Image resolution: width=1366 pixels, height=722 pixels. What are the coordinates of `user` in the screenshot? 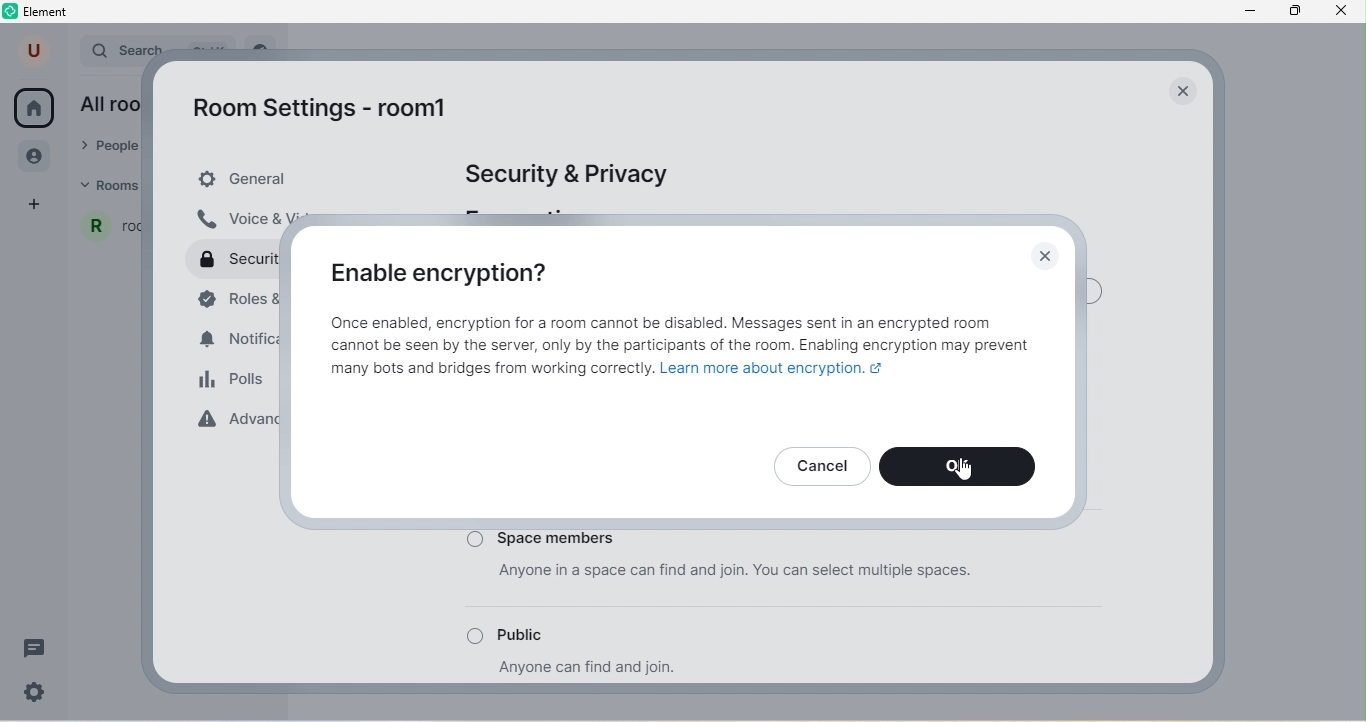 It's located at (36, 50).